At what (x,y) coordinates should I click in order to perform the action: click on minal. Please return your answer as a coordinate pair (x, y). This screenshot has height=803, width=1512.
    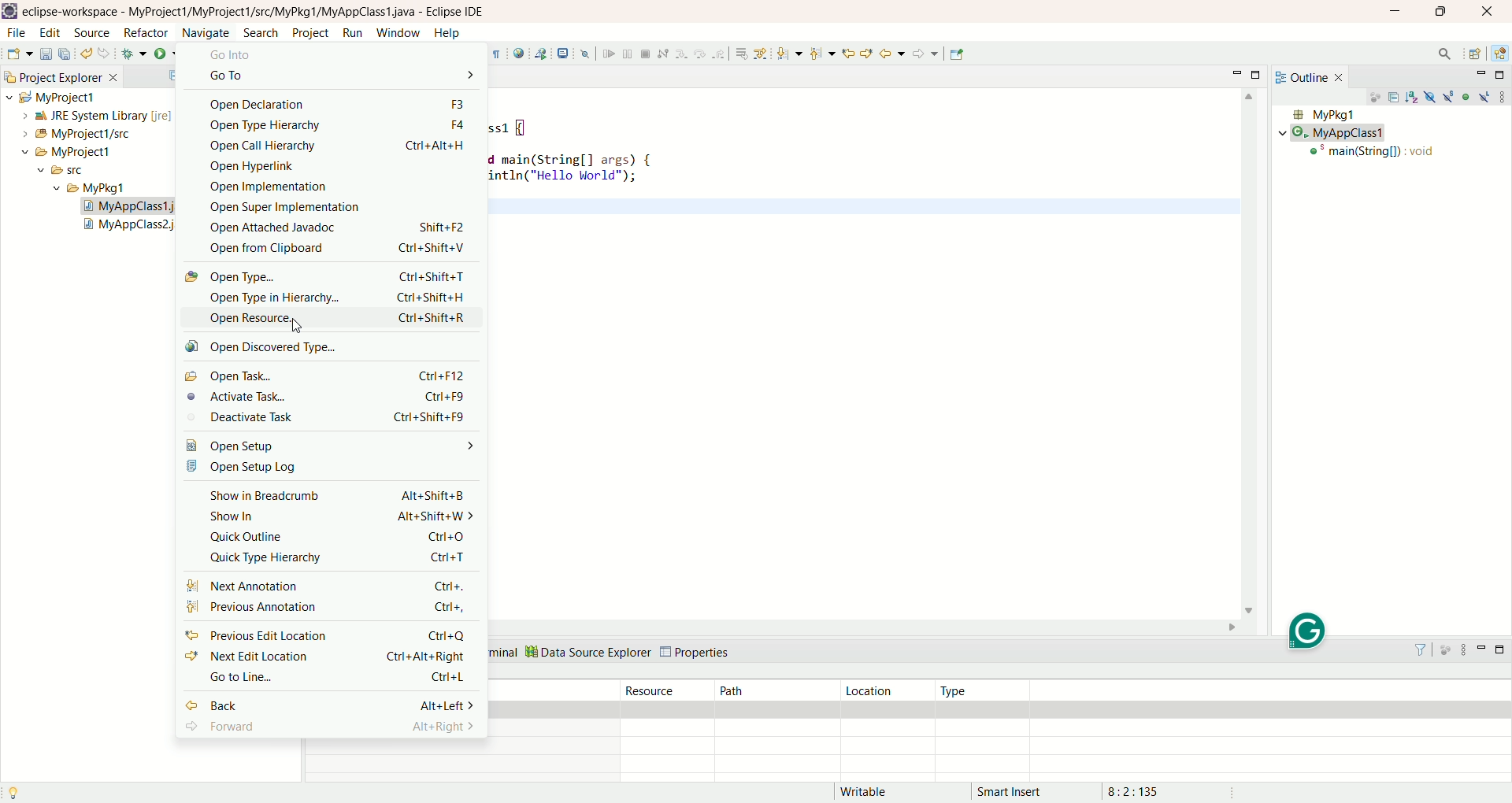
    Looking at the image, I should click on (504, 653).